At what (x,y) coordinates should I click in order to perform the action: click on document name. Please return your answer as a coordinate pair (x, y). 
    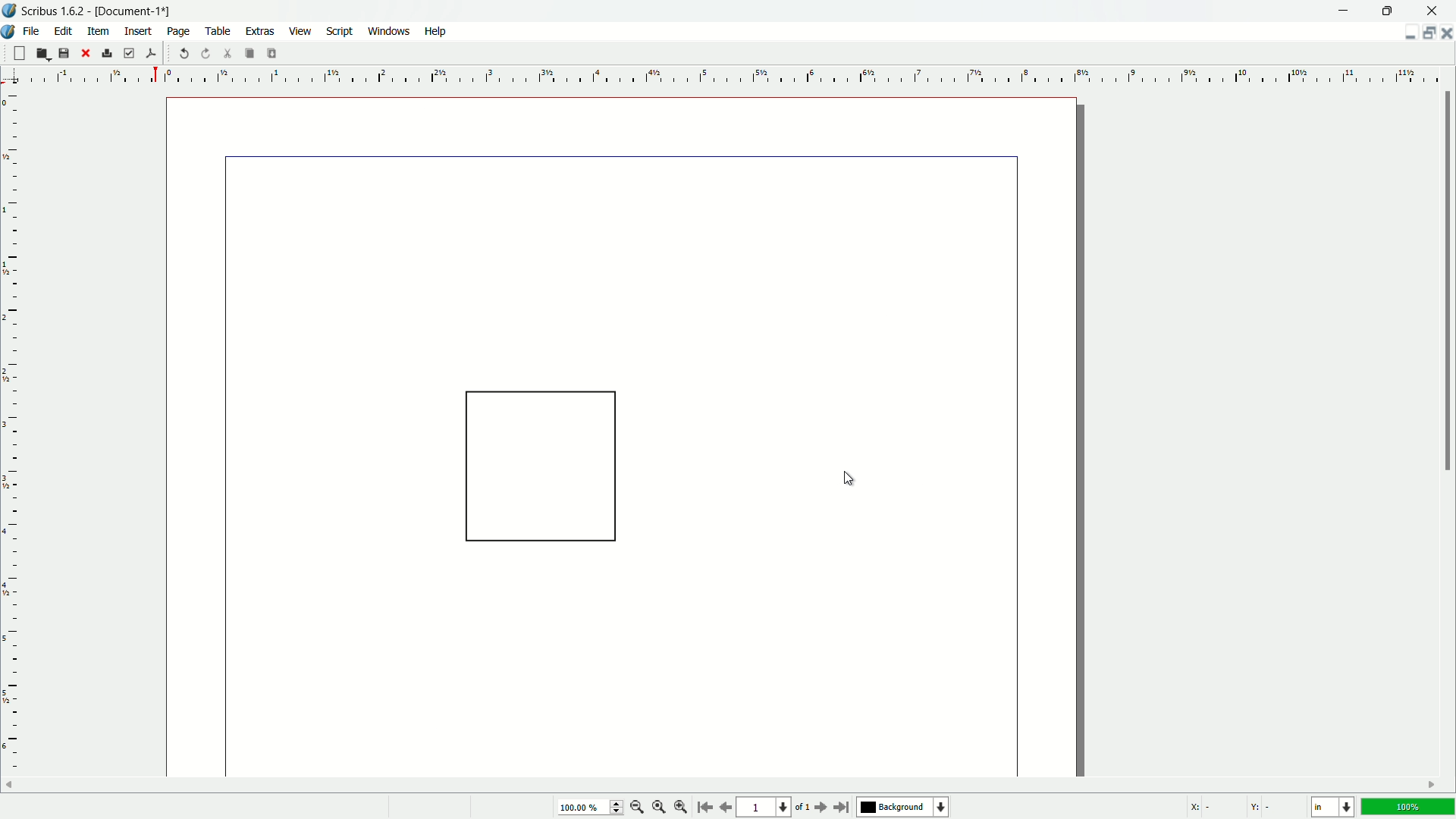
    Looking at the image, I should click on (133, 10).